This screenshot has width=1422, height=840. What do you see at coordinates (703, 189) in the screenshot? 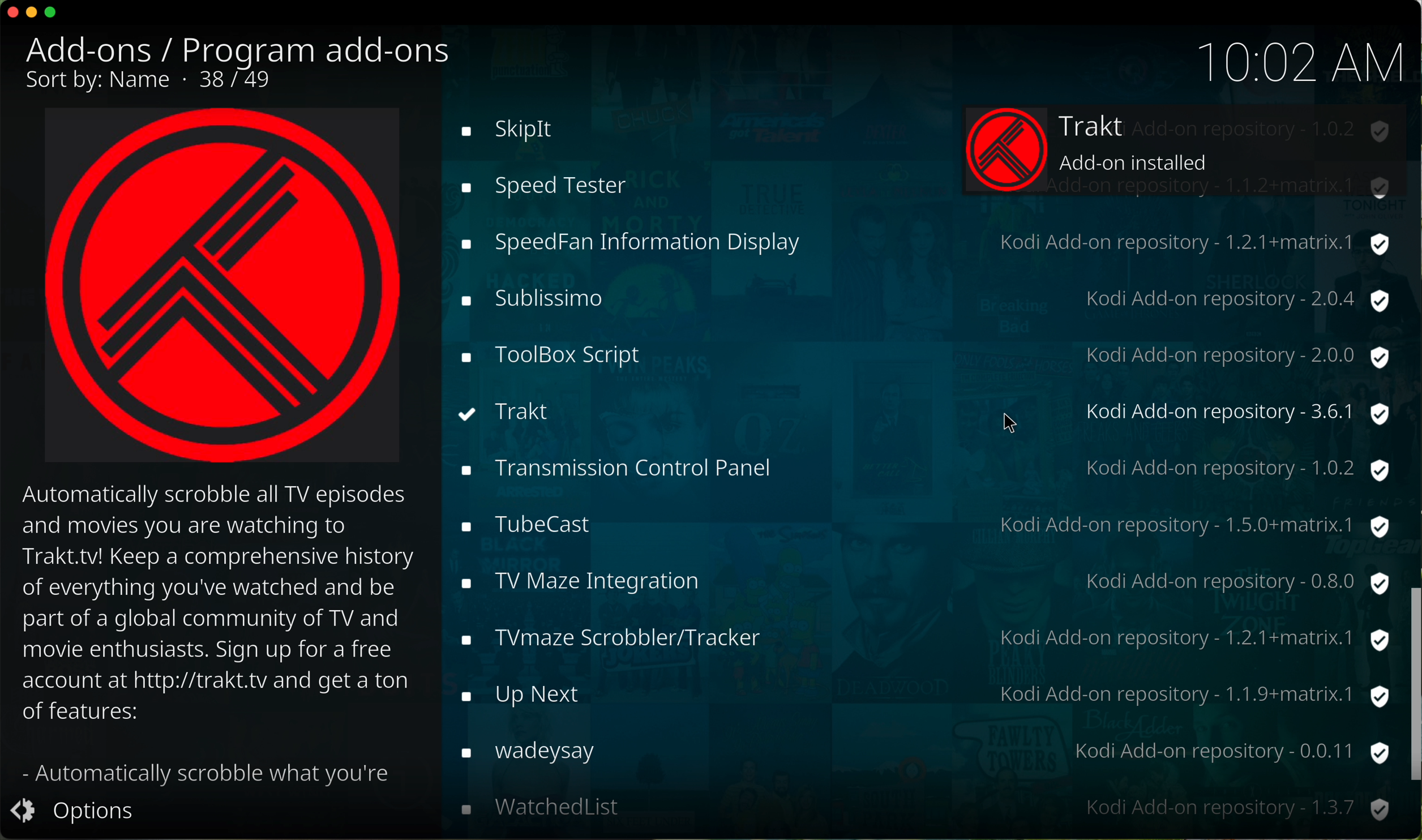
I see `click on trakt` at bounding box center [703, 189].